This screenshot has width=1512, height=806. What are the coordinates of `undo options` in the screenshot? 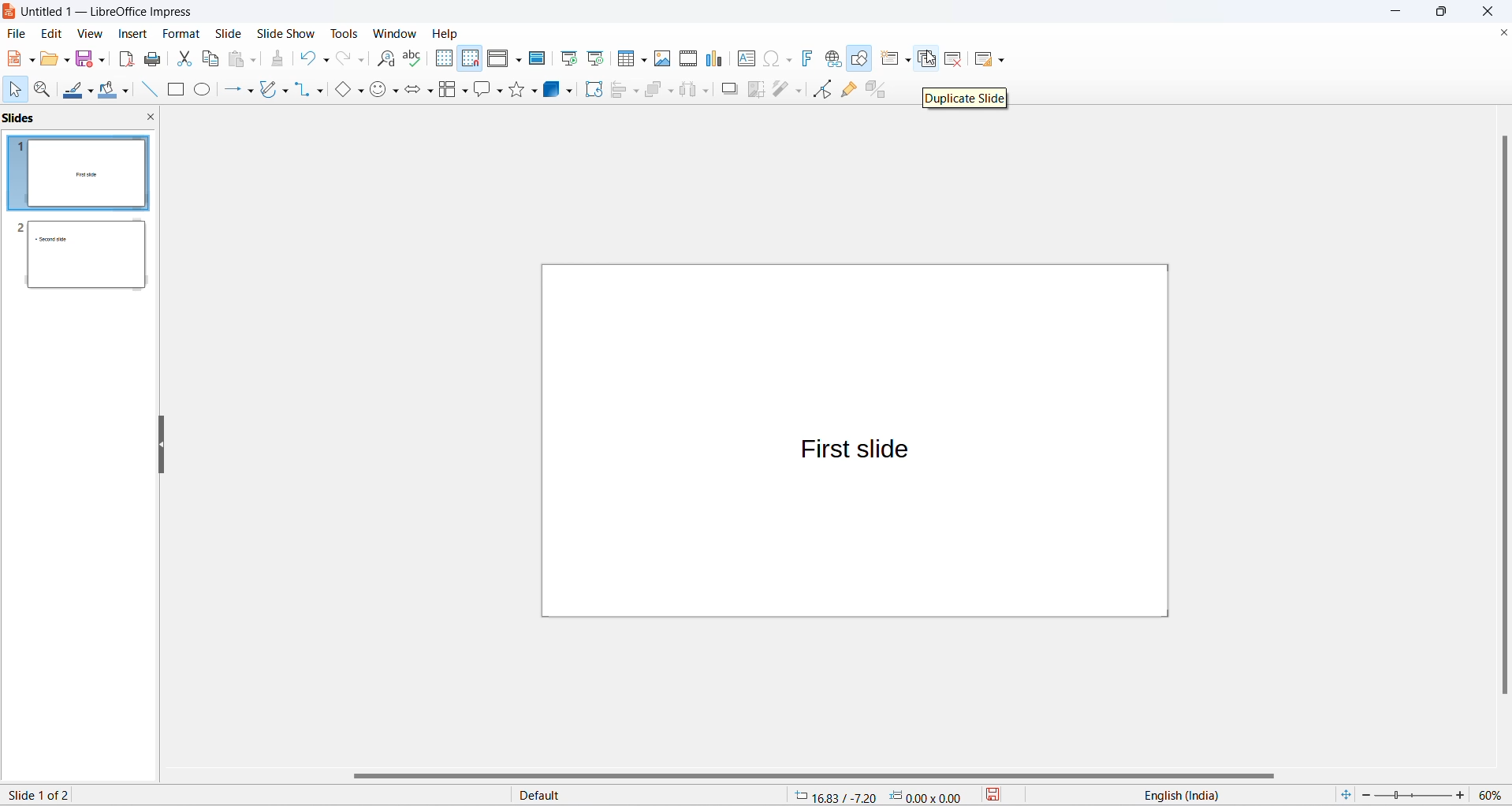 It's located at (324, 58).